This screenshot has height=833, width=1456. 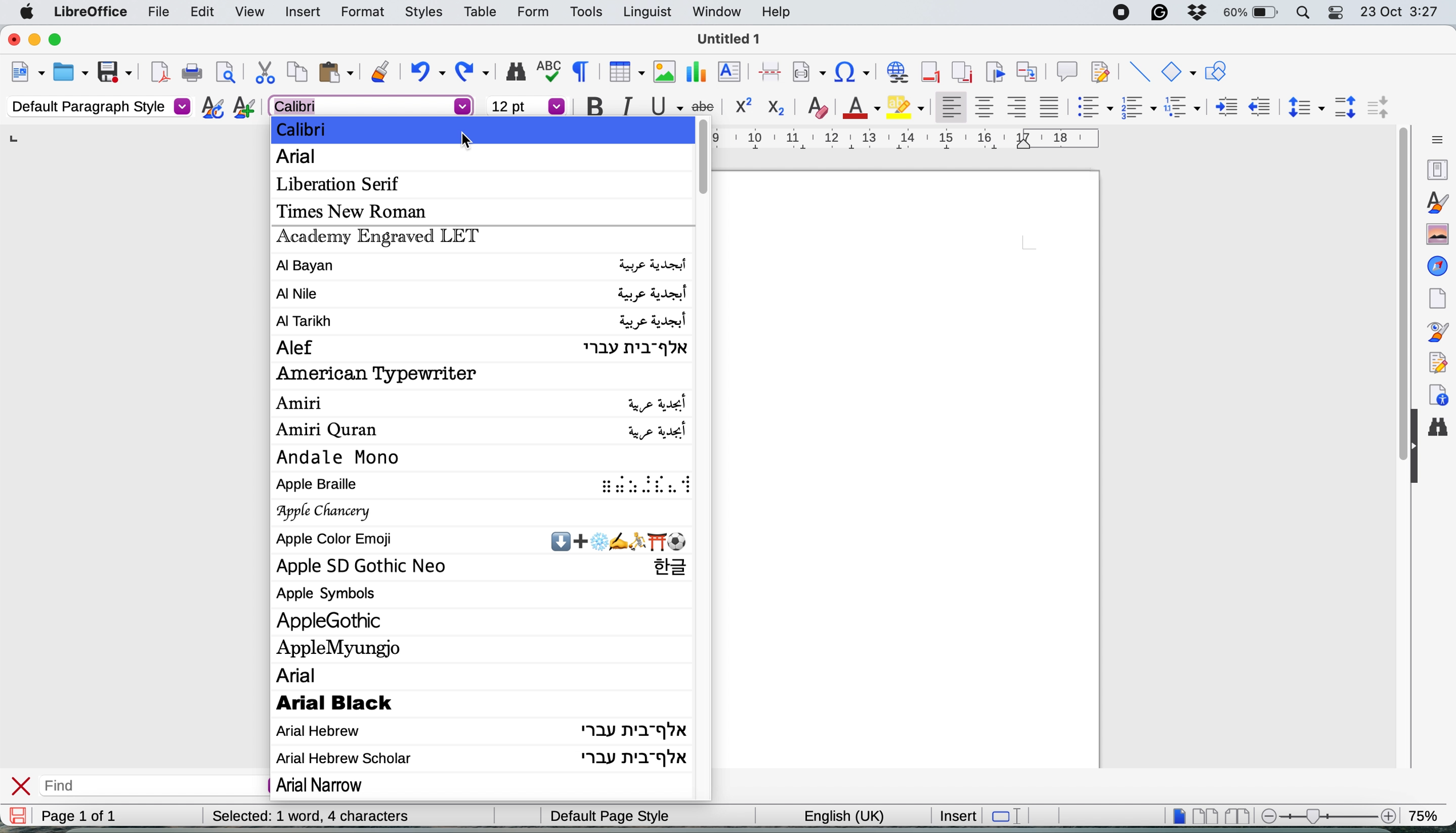 I want to click on sidebar settings, so click(x=1434, y=140).